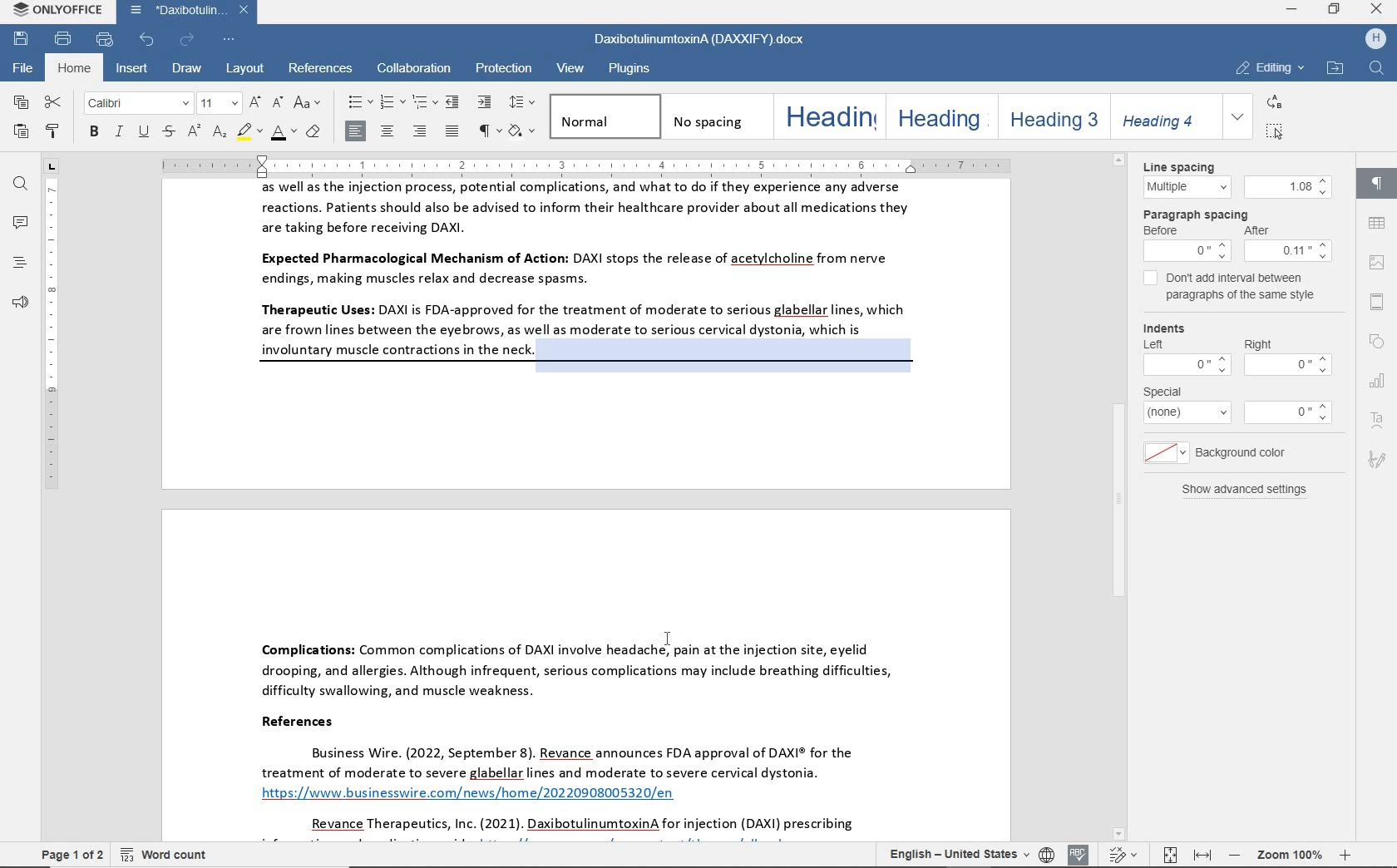 Image resolution: width=1397 pixels, height=868 pixels. Describe the element at coordinates (167, 133) in the screenshot. I see `strikethrough` at that location.